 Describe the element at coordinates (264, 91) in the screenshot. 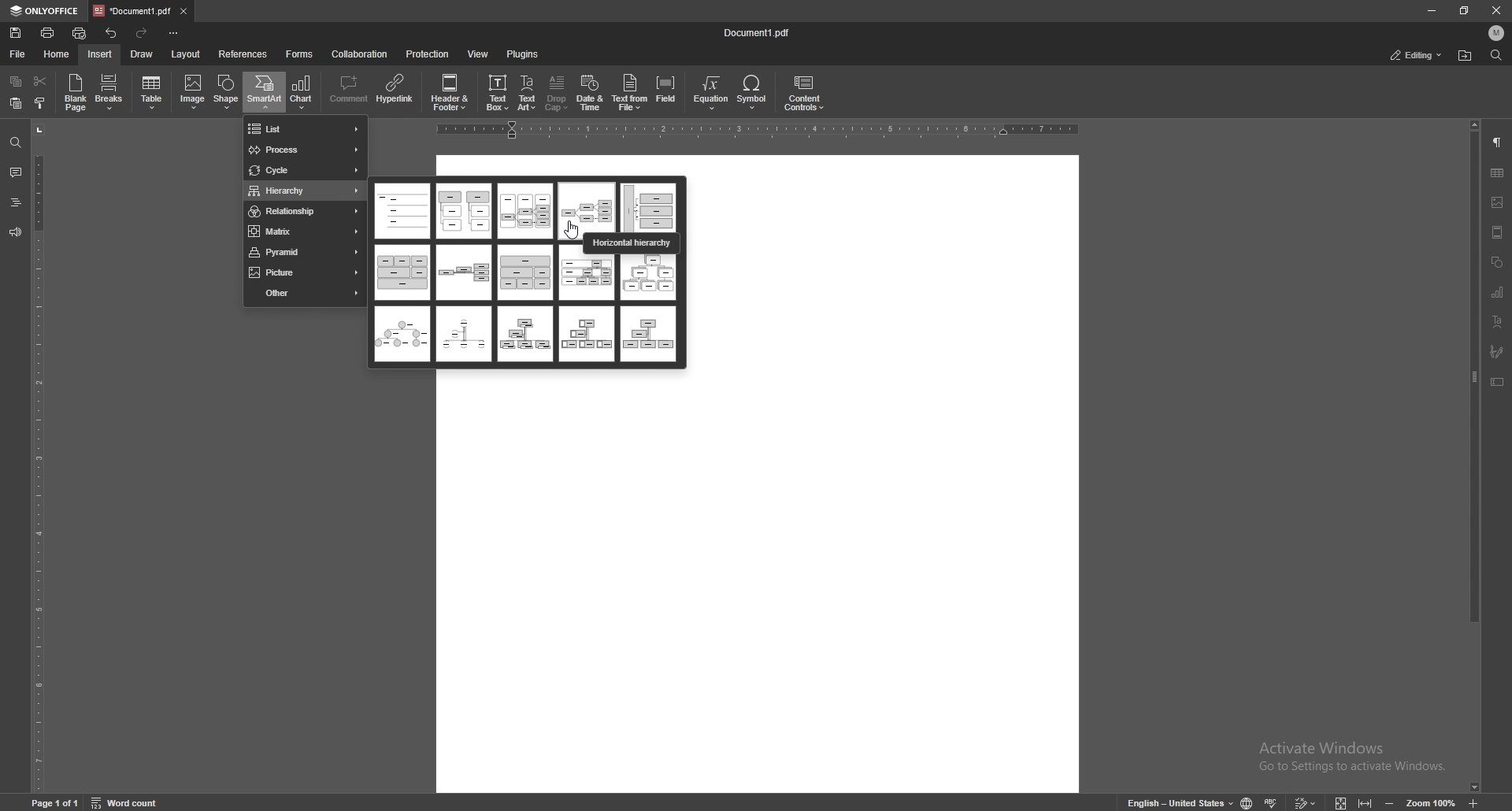

I see `smart art` at that location.